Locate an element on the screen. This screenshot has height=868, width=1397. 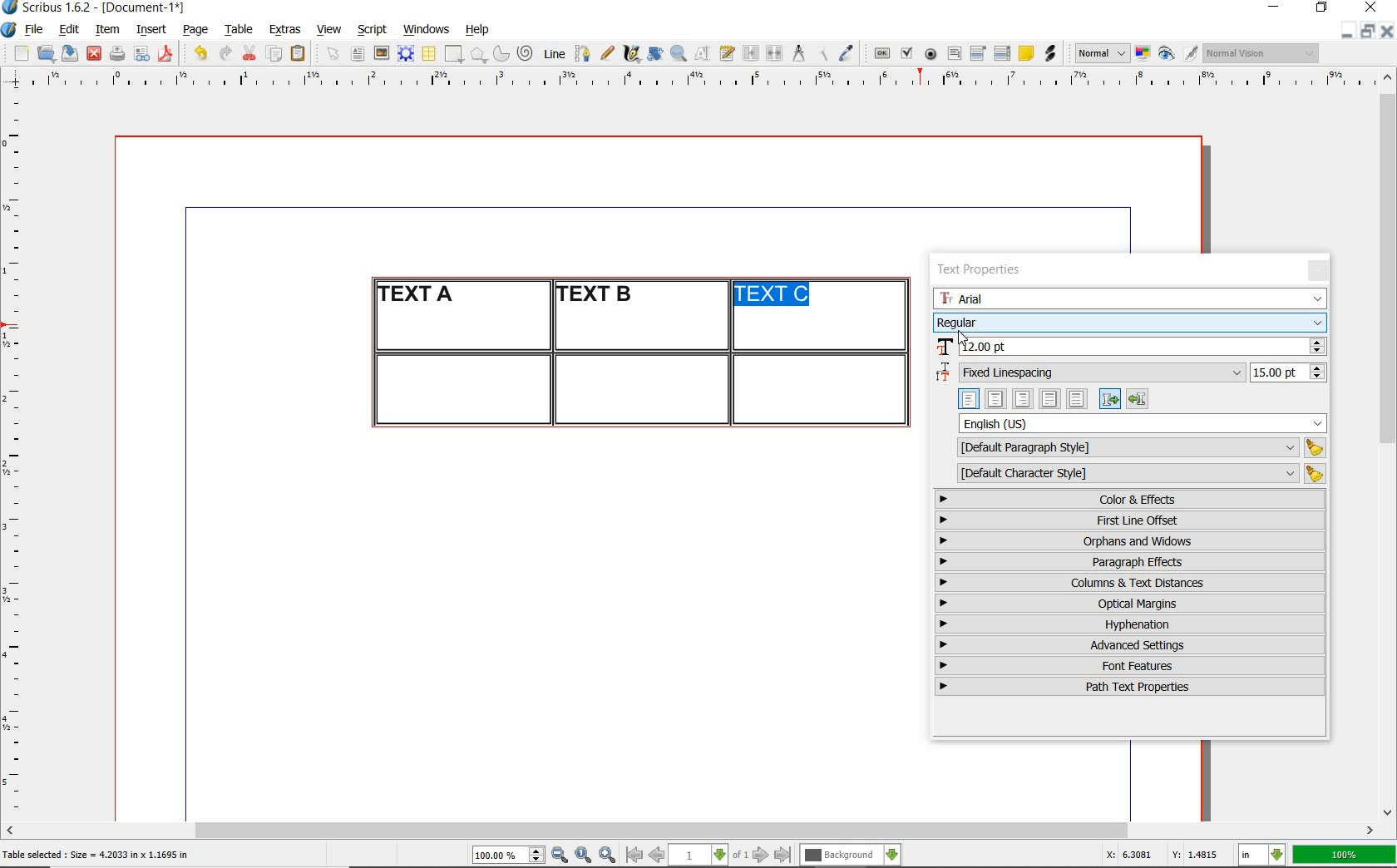
font size is located at coordinates (1130, 348).